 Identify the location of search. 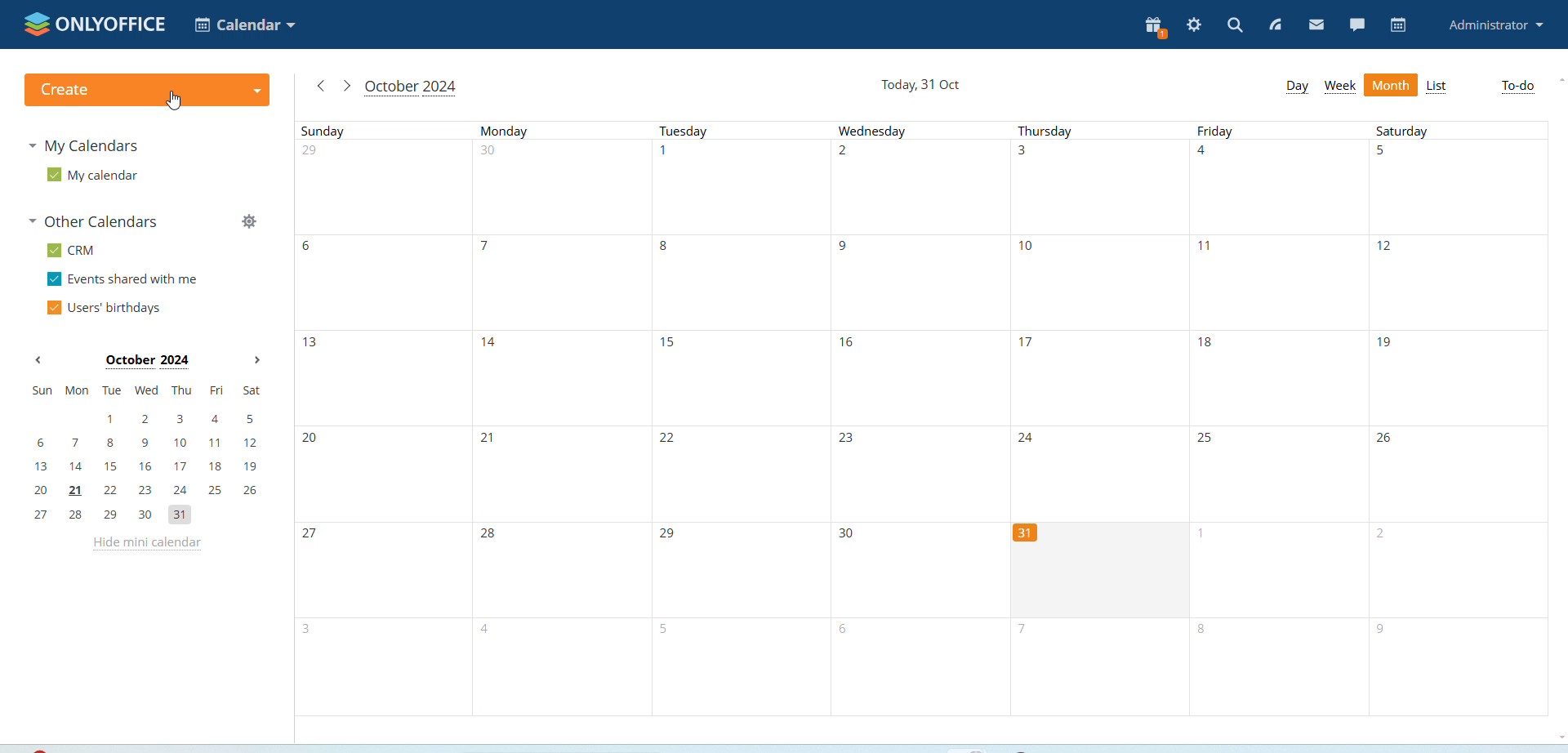
(1235, 26).